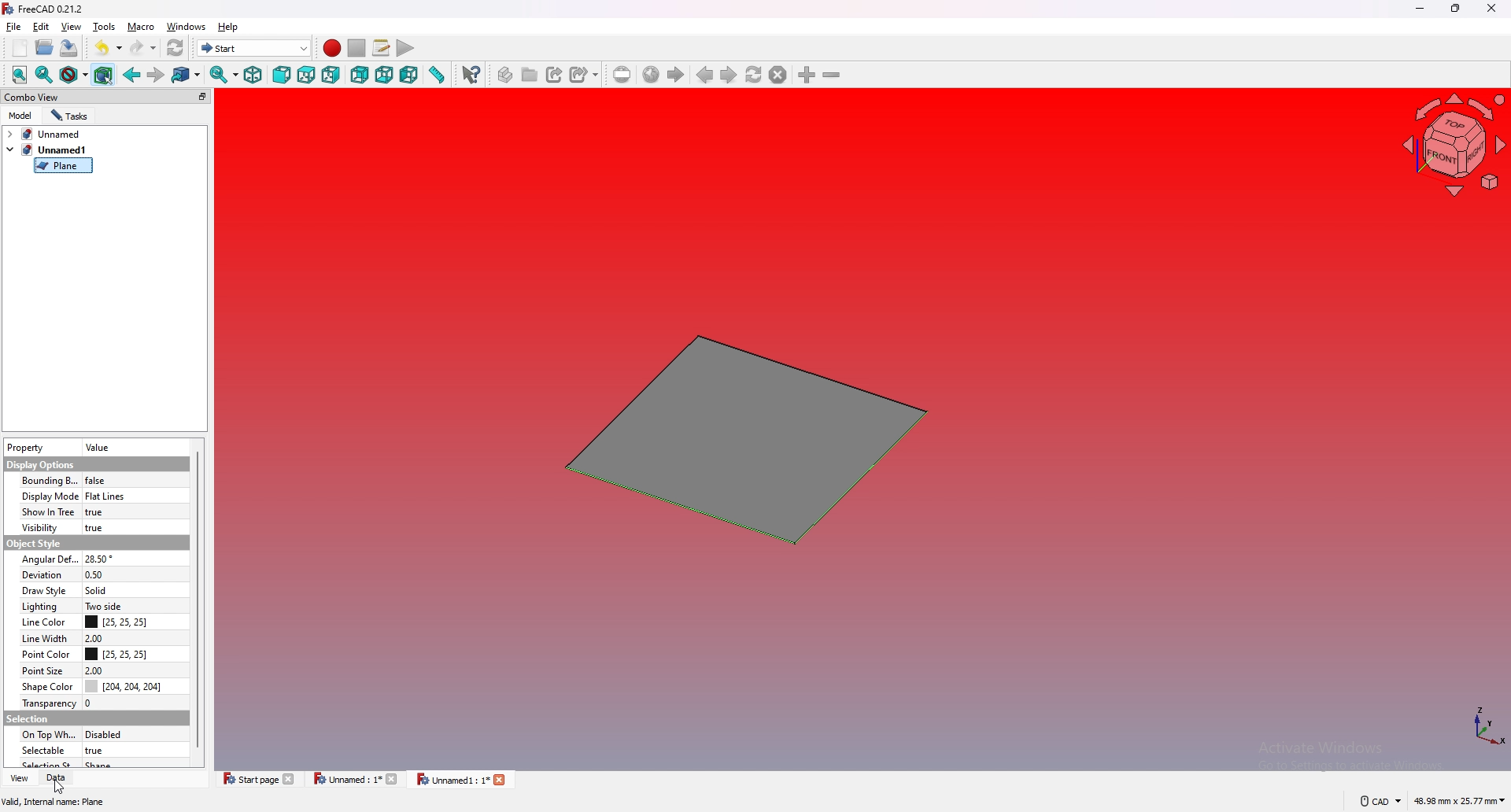 Image resolution: width=1511 pixels, height=812 pixels. I want to click on open, so click(45, 47).